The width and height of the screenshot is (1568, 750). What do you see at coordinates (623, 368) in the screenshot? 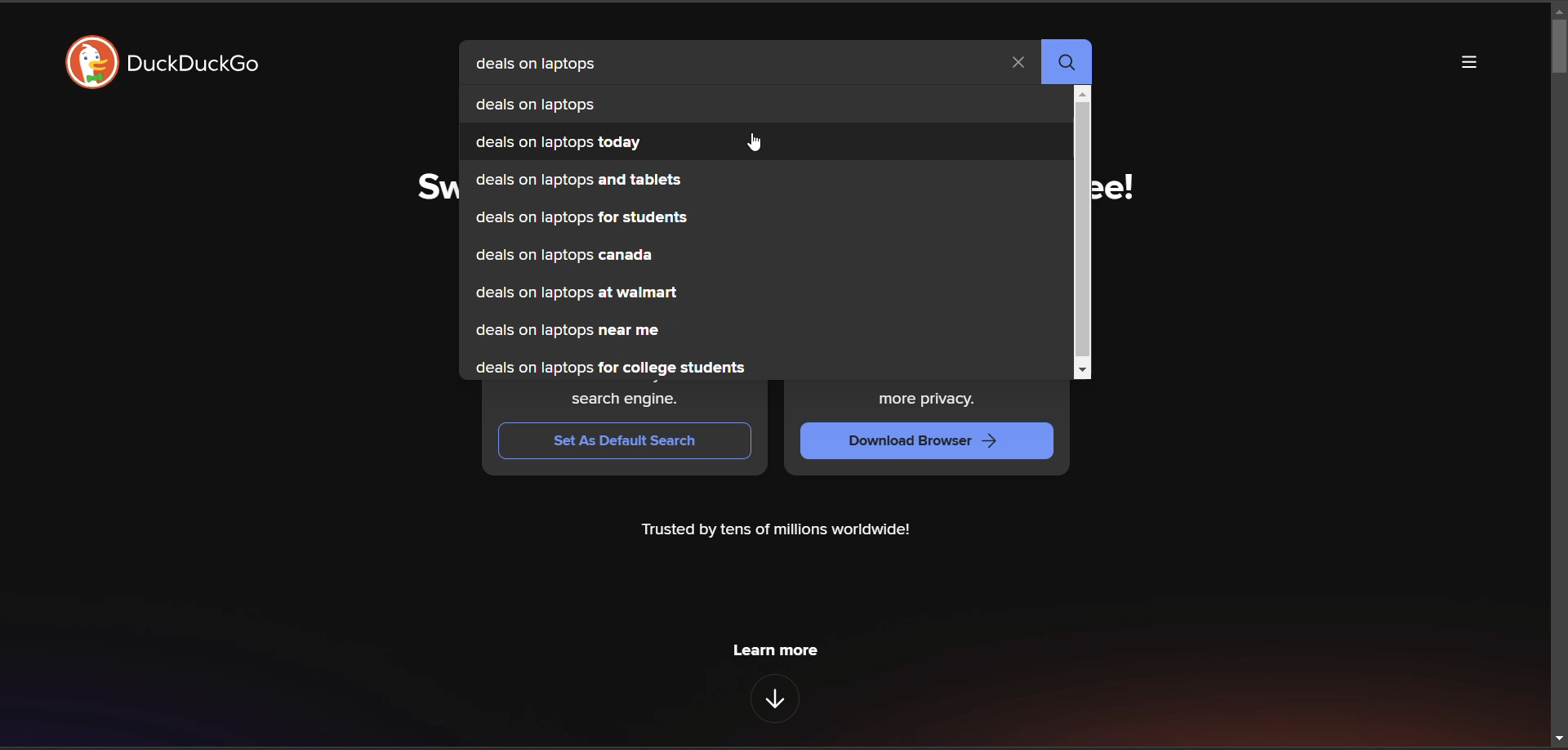
I see `deals on laptops for college students` at bounding box center [623, 368].